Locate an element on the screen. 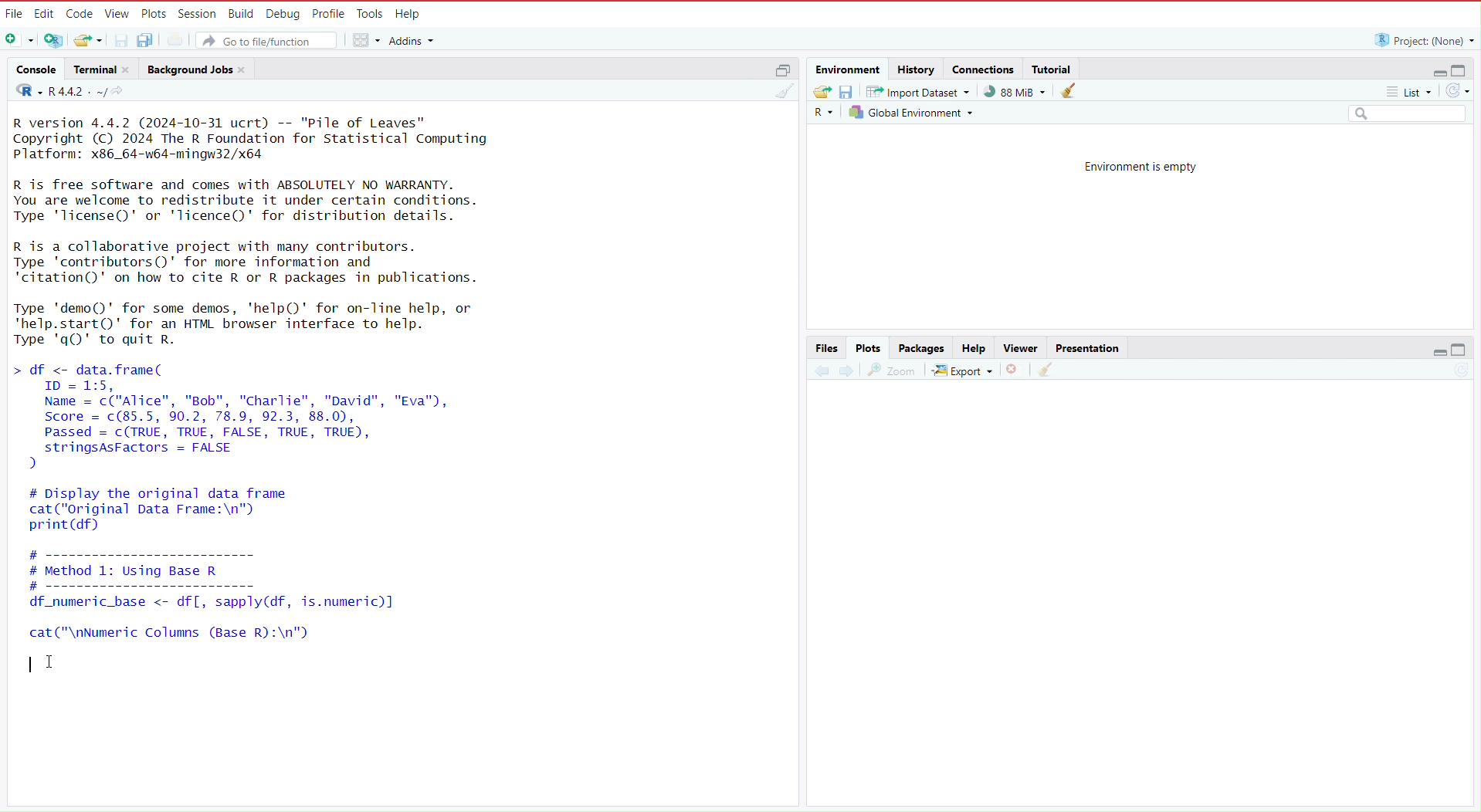 This screenshot has width=1481, height=812. Tutorial is located at coordinates (1054, 69).